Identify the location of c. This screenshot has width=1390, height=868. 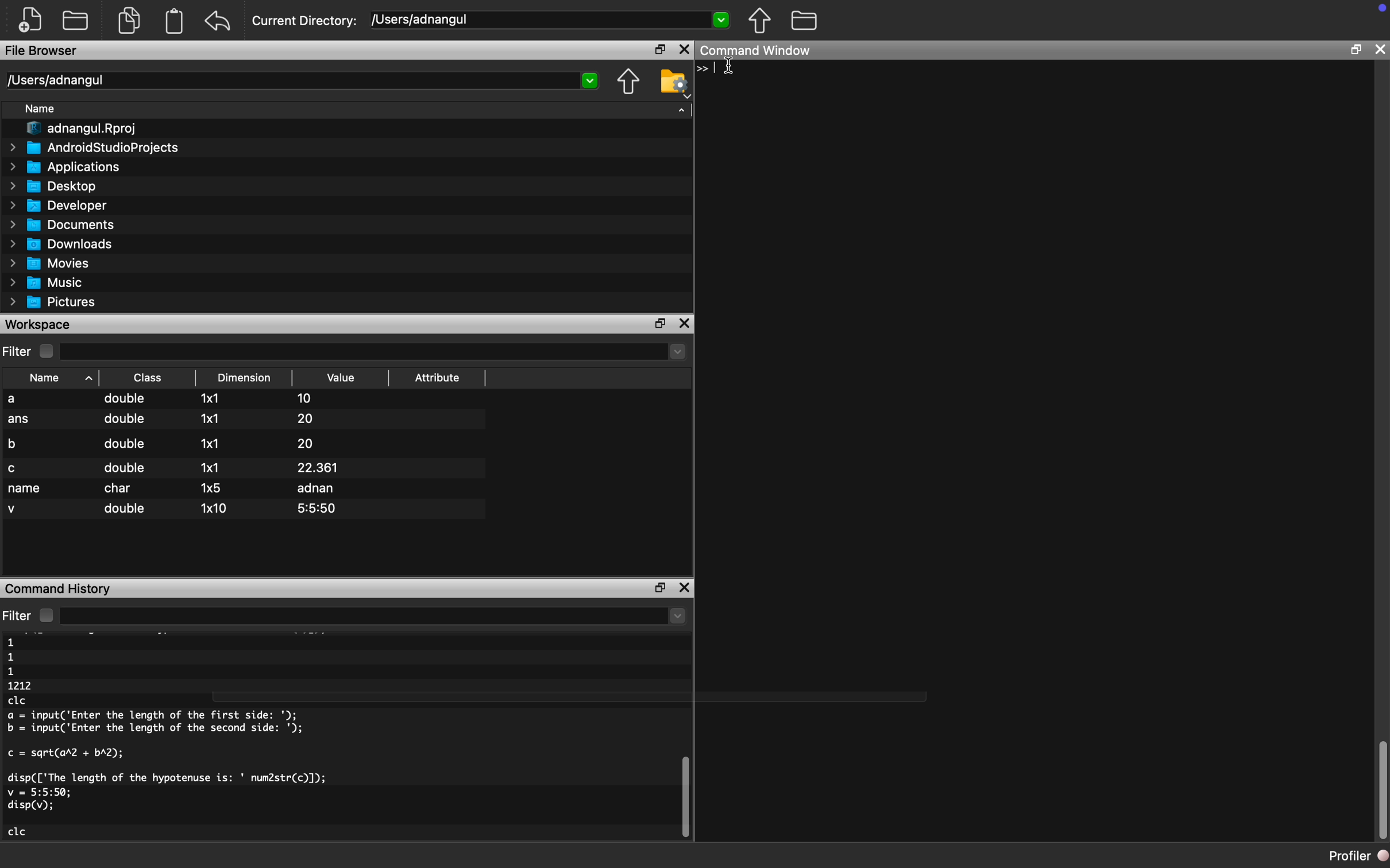
(14, 470).